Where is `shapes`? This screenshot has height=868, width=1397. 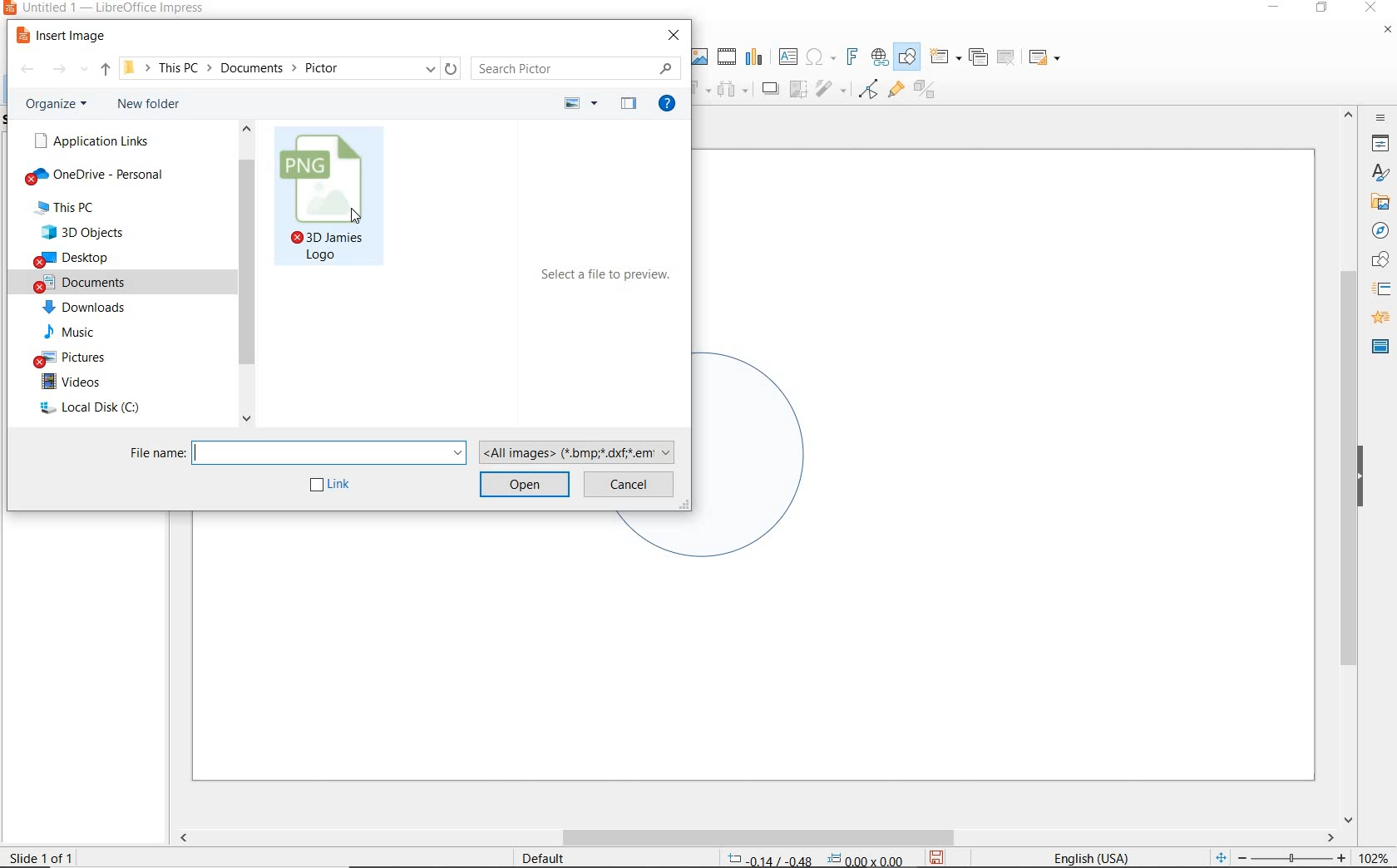 shapes is located at coordinates (1378, 260).